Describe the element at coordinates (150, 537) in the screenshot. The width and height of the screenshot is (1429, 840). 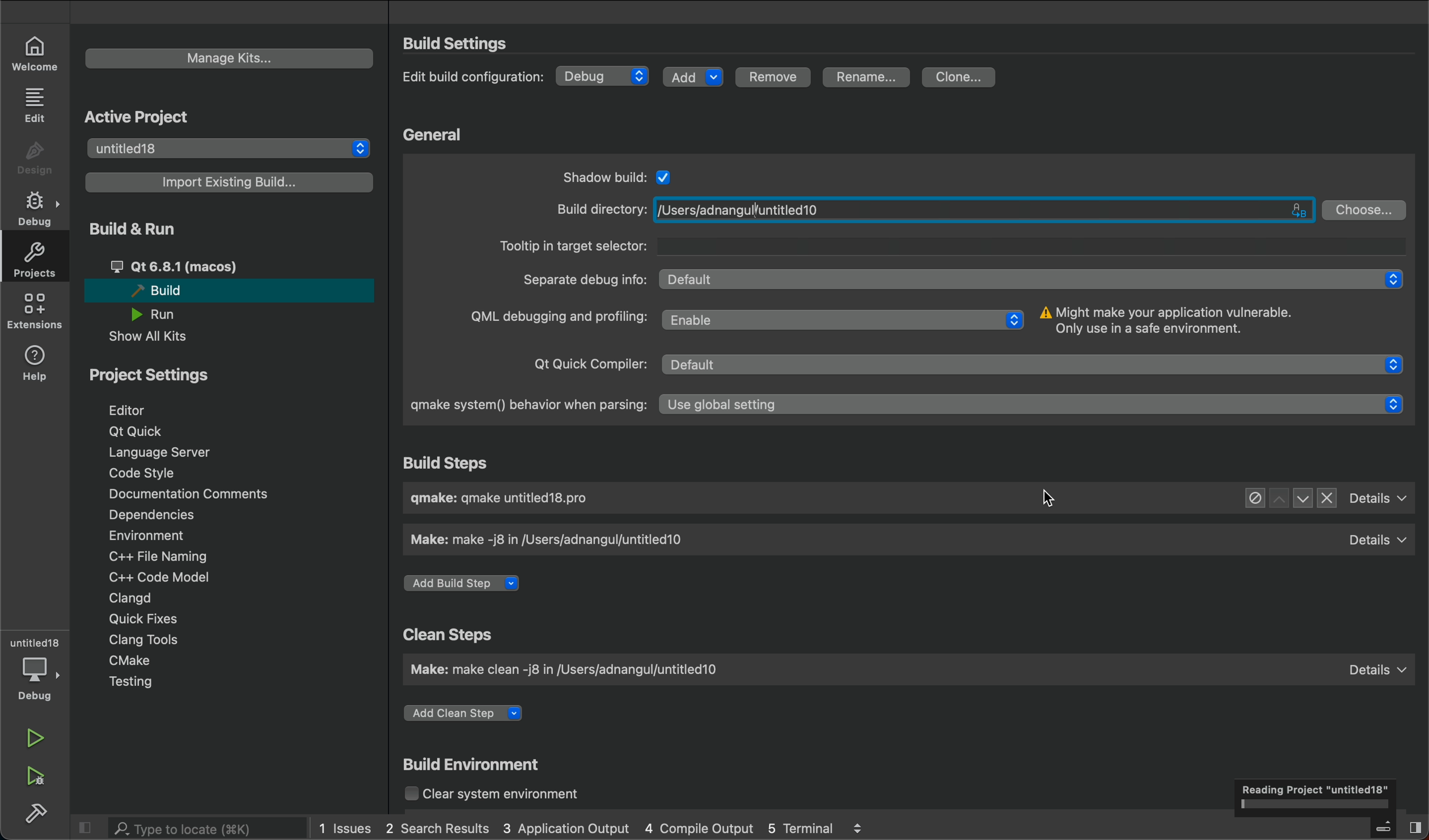
I see `environment` at that location.